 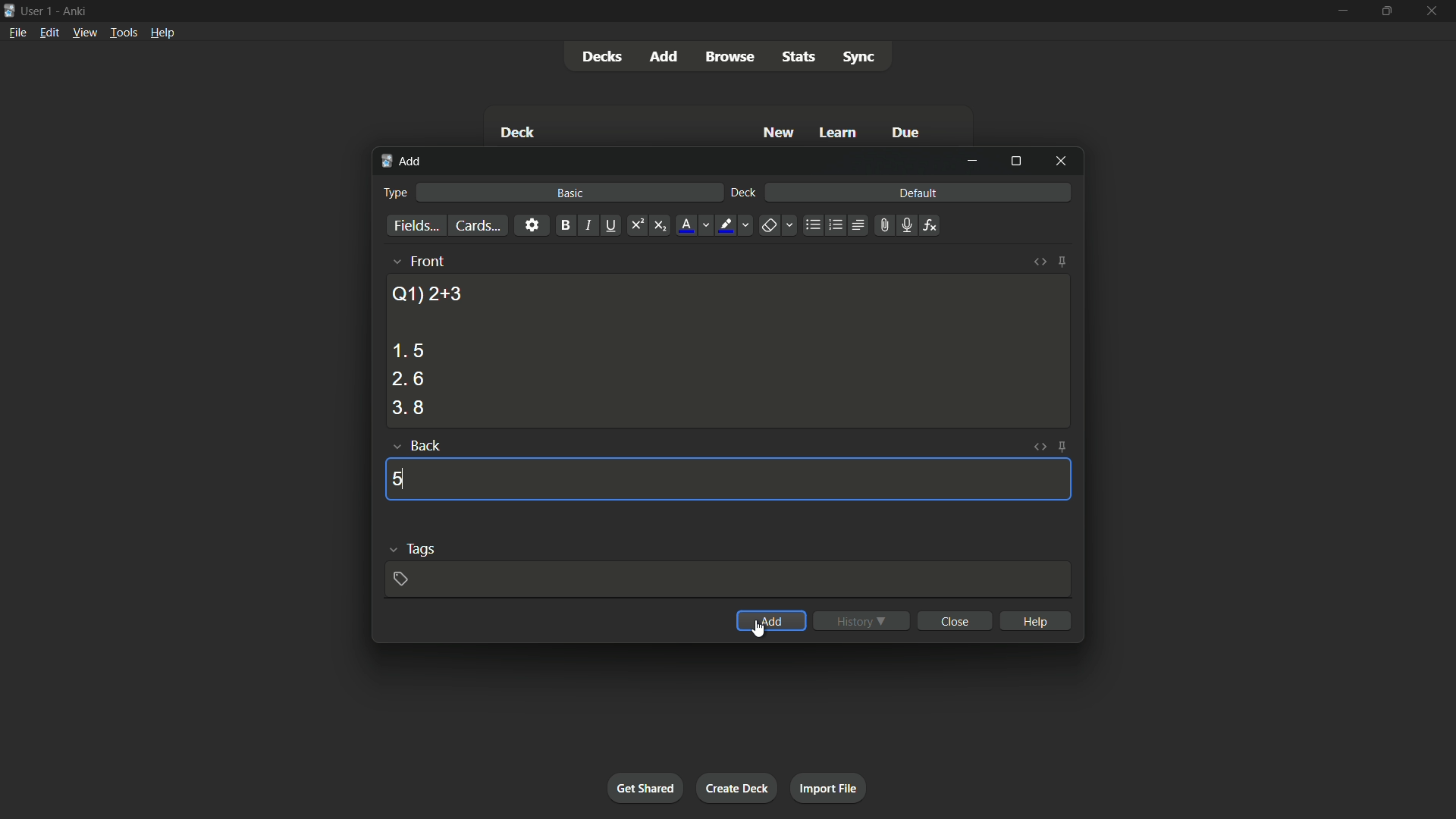 I want to click on supercript, so click(x=635, y=226).